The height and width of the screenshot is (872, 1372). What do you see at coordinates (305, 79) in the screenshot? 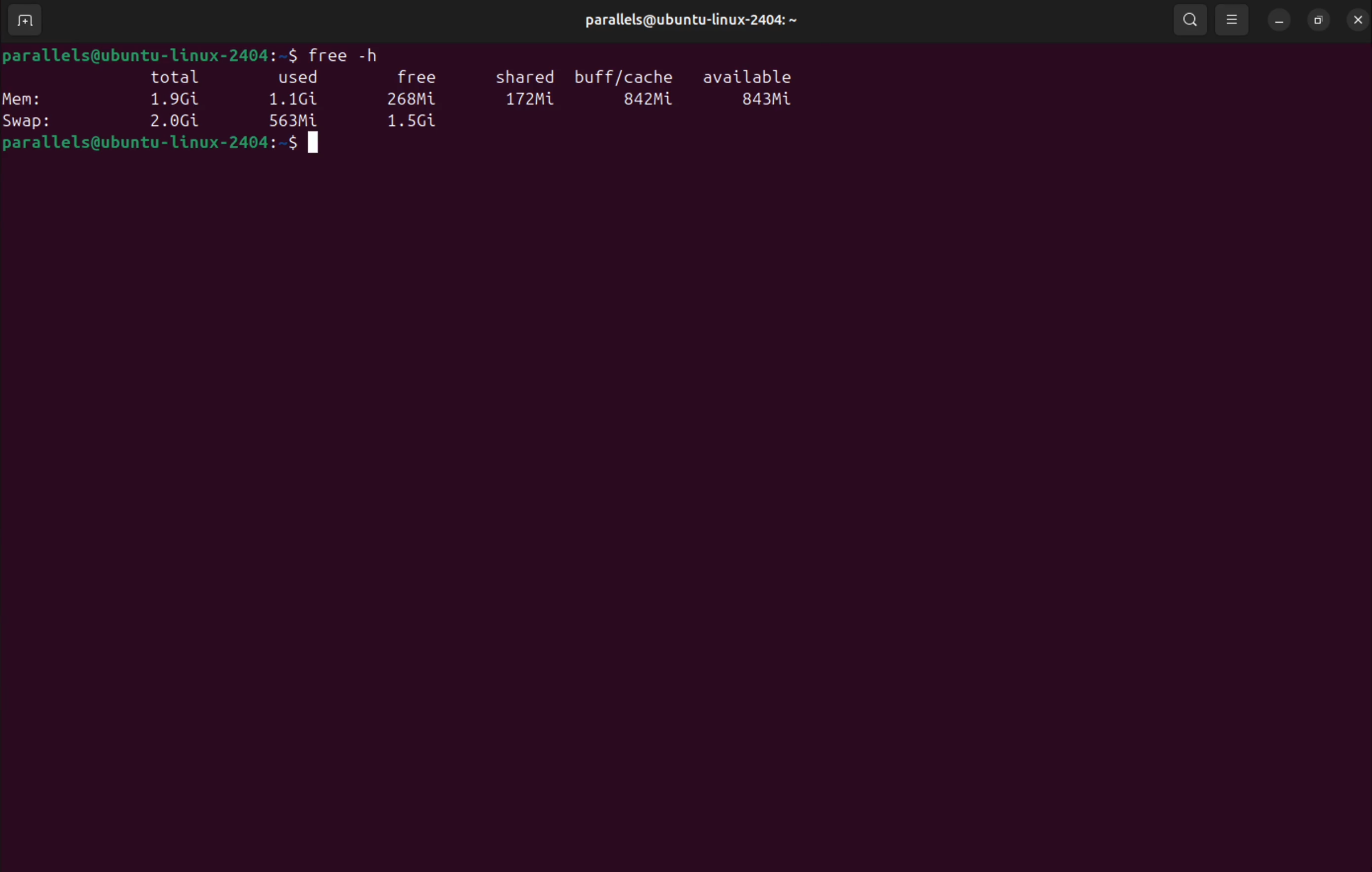
I see `used` at bounding box center [305, 79].